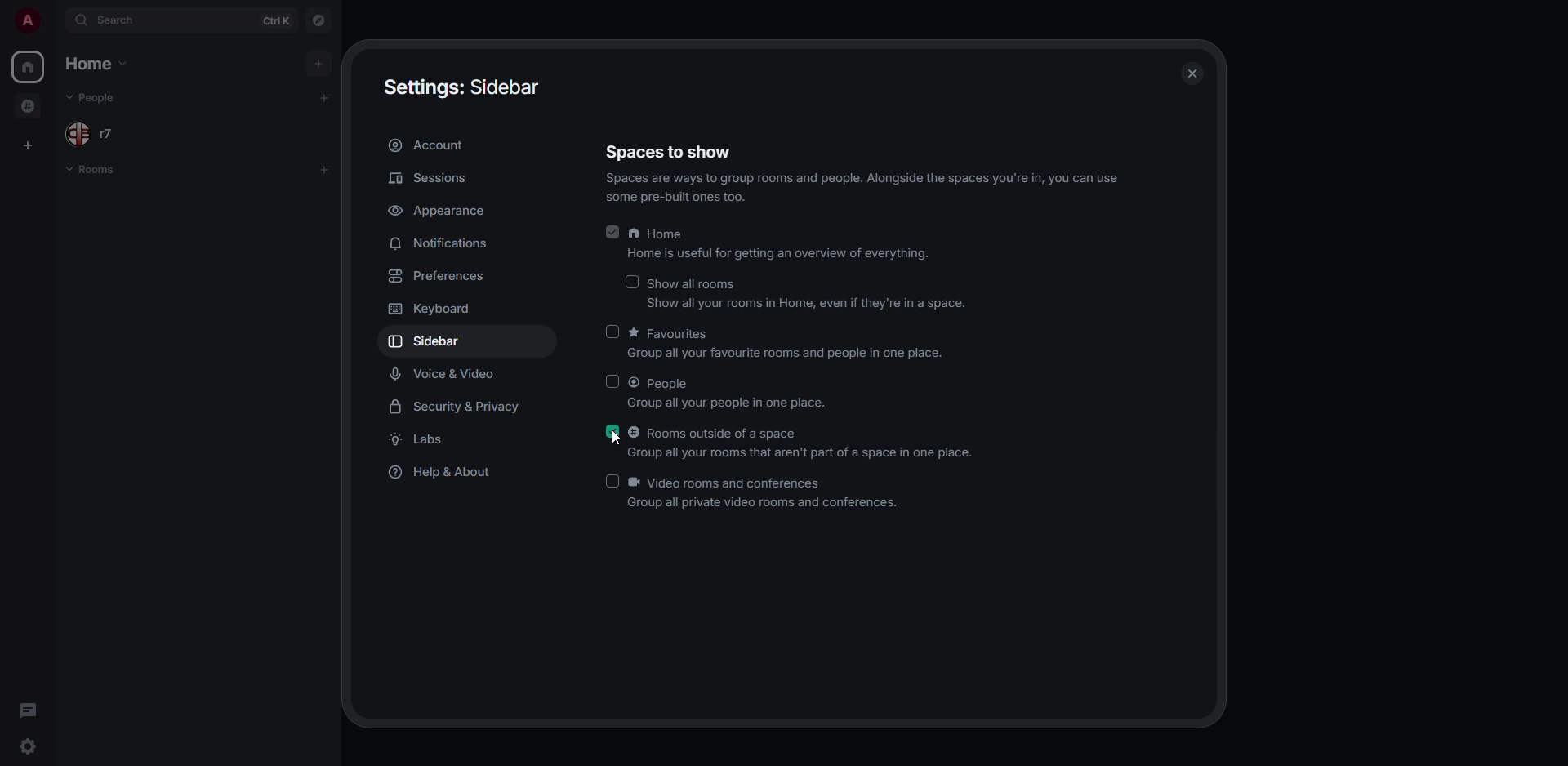  Describe the element at coordinates (29, 709) in the screenshot. I see `threads` at that location.